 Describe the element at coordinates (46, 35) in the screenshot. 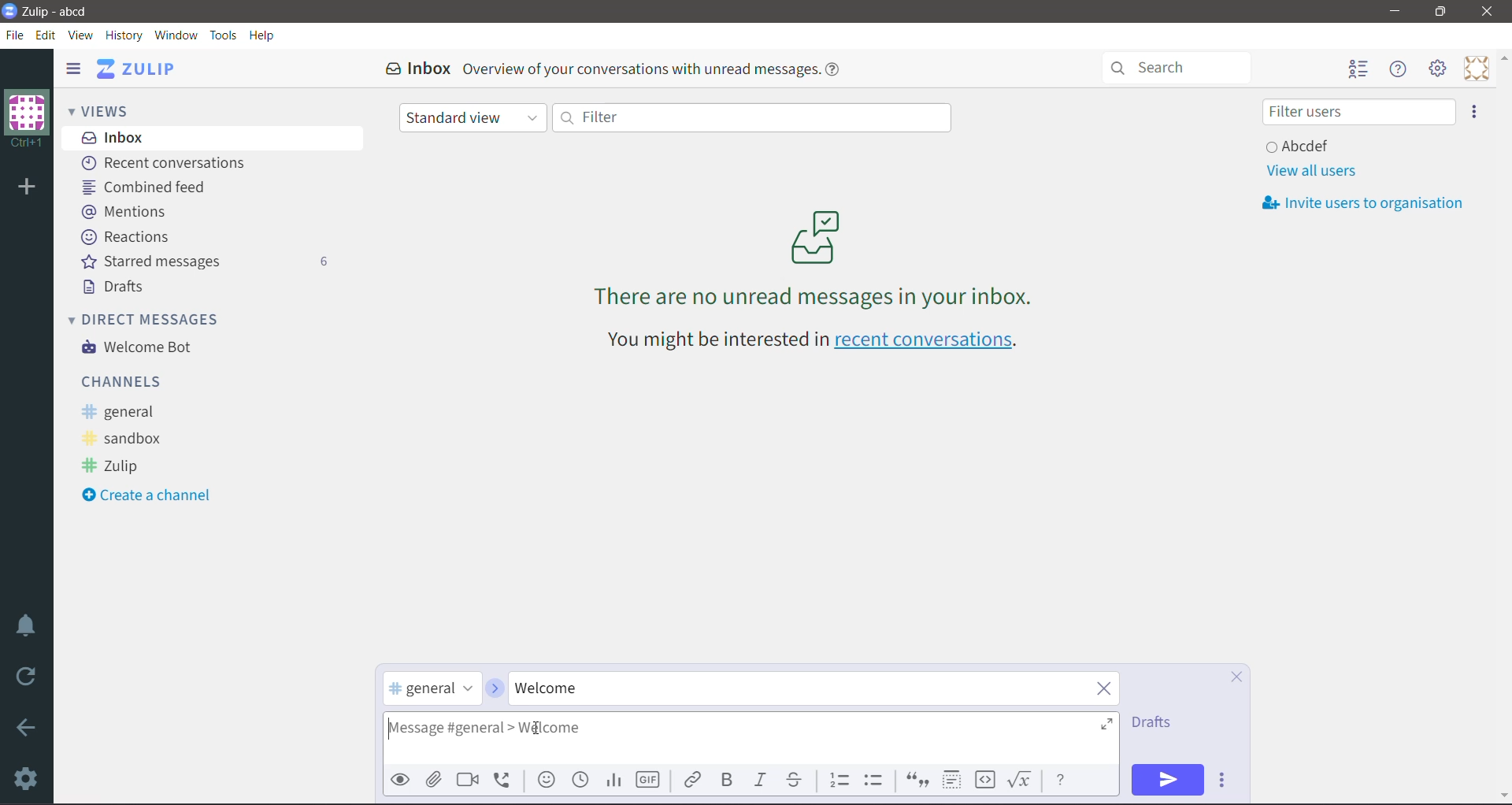

I see `Edit` at that location.